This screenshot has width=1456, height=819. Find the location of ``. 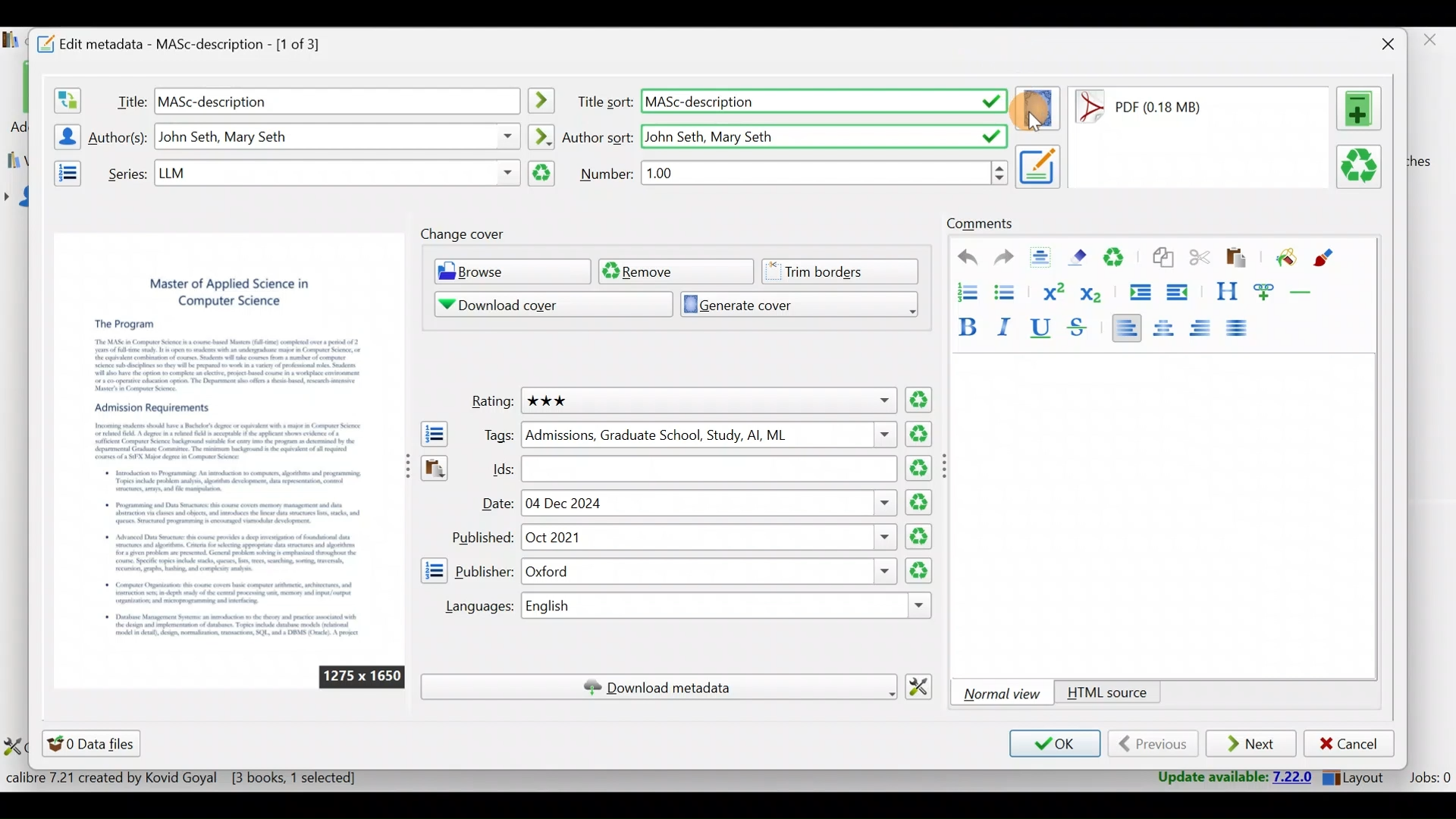

 is located at coordinates (711, 503).